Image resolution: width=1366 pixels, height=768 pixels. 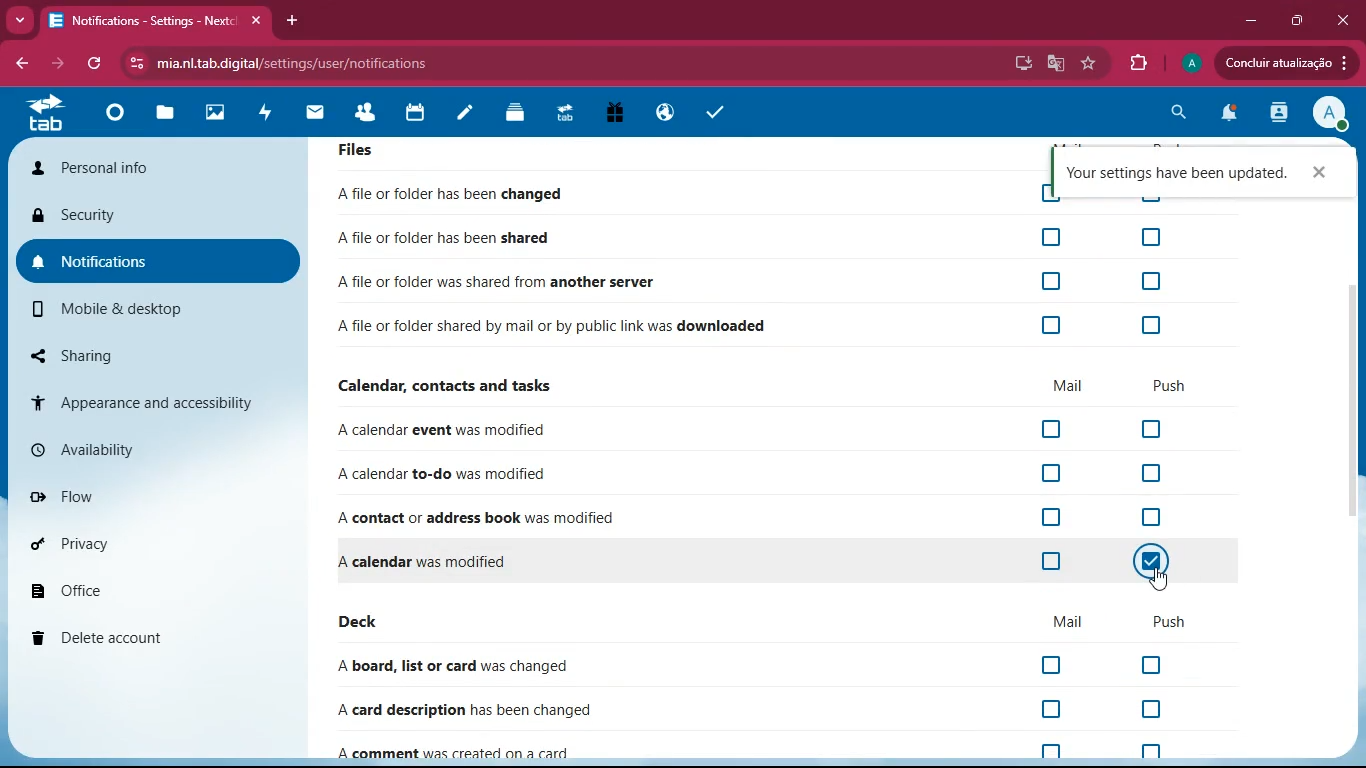 What do you see at coordinates (1092, 65) in the screenshot?
I see `favourite` at bounding box center [1092, 65].